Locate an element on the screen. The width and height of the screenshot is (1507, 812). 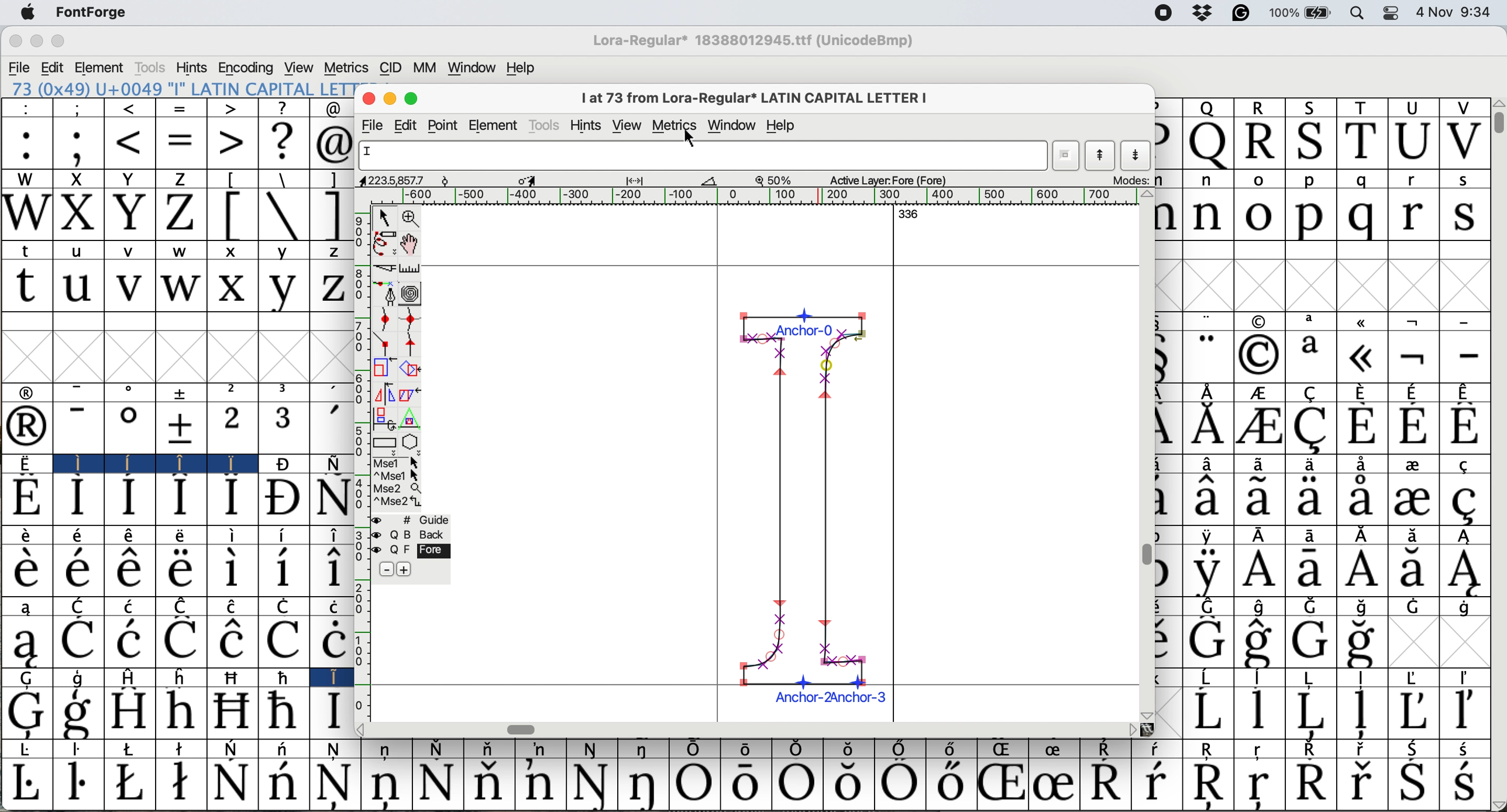
h is located at coordinates (184, 677).